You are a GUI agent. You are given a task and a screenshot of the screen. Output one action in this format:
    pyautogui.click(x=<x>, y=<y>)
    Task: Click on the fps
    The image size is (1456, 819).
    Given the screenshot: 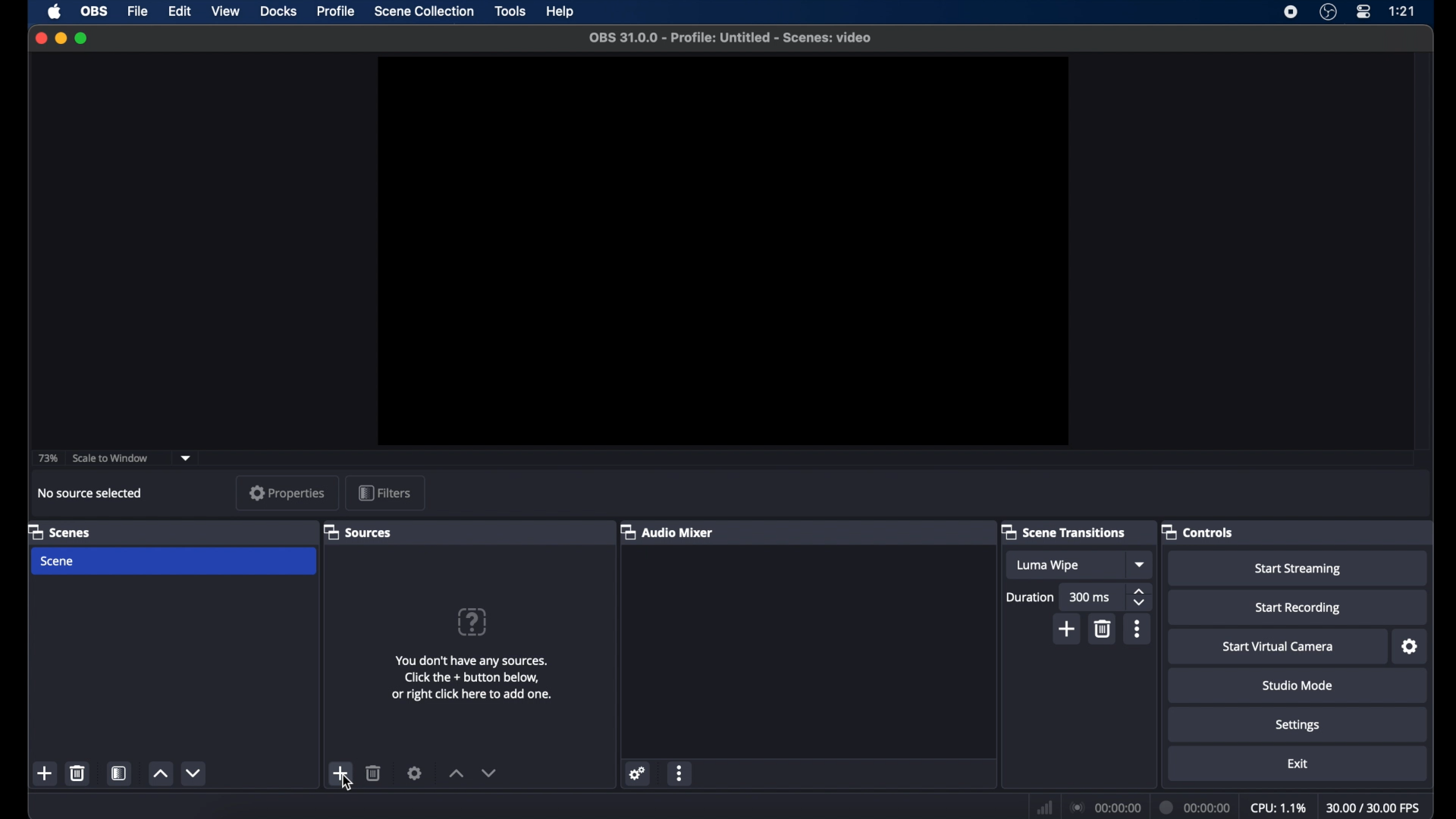 What is the action you would take?
    pyautogui.click(x=1373, y=808)
    